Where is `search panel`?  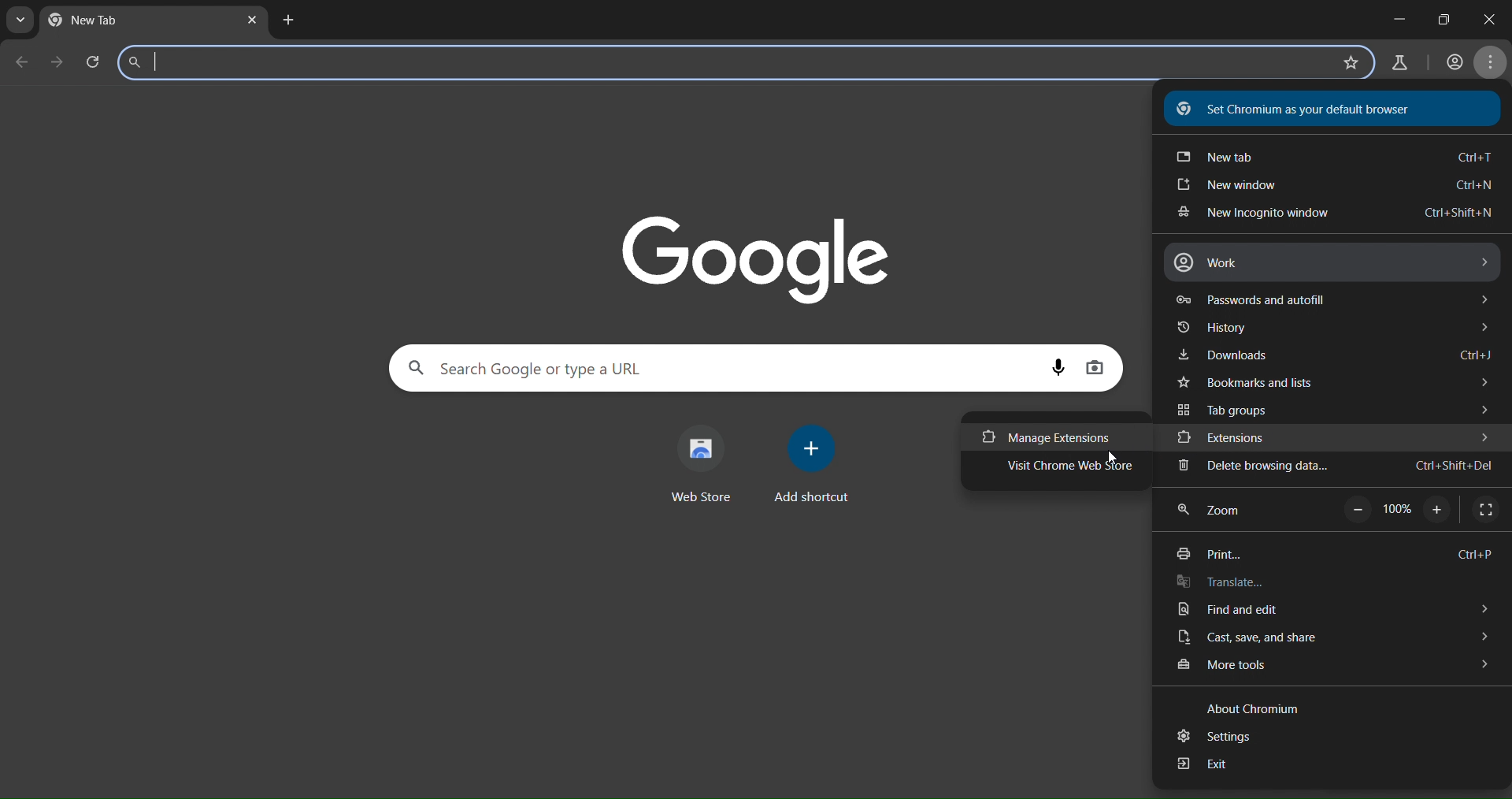
search panel is located at coordinates (728, 64).